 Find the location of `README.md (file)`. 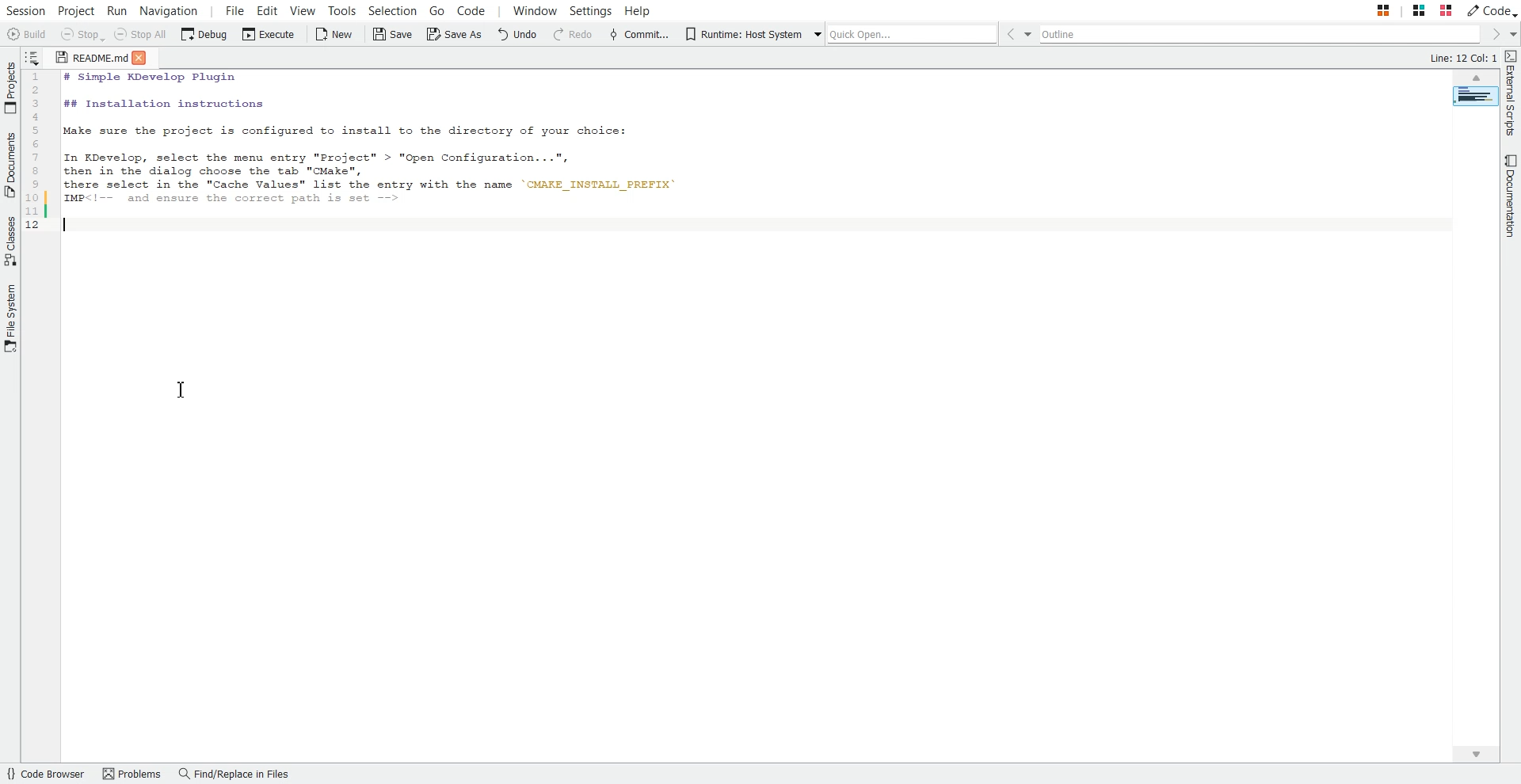

README.md (file) is located at coordinates (86, 57).